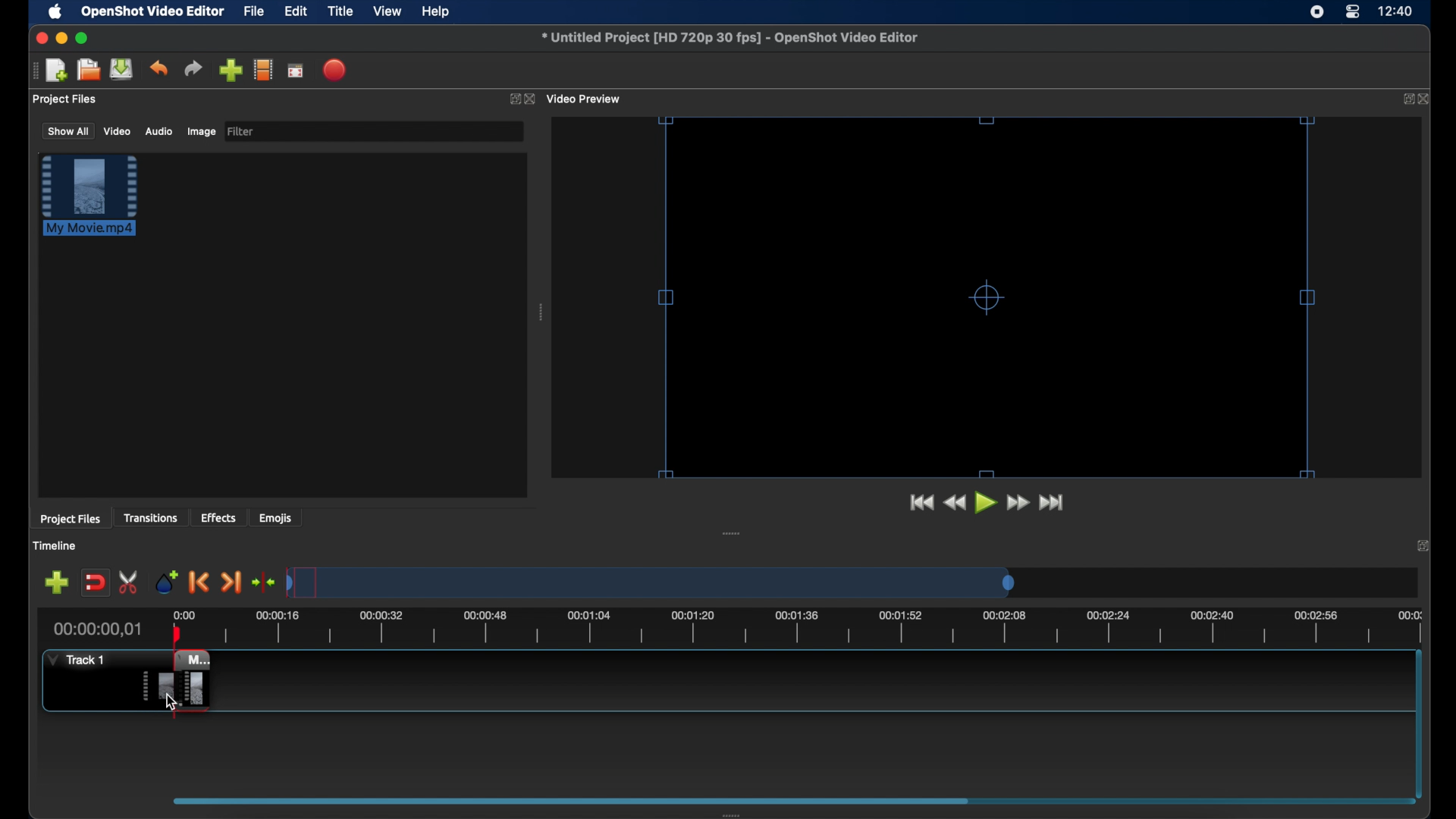 The height and width of the screenshot is (819, 1456). What do you see at coordinates (1426, 100) in the screenshot?
I see `close` at bounding box center [1426, 100].